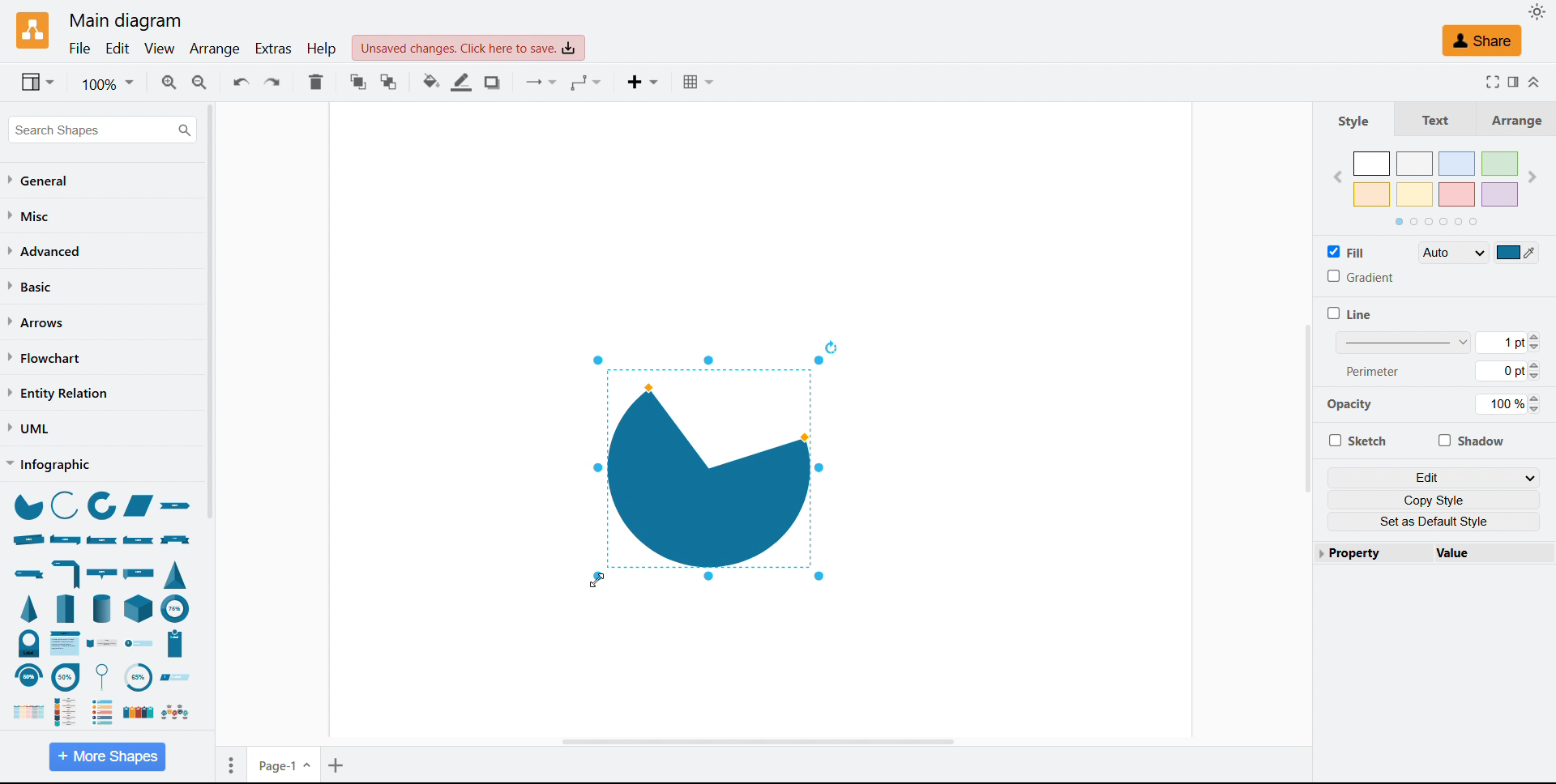 This screenshot has height=784, width=1556. What do you see at coordinates (1536, 83) in the screenshot?
I see `Collapse ` at bounding box center [1536, 83].